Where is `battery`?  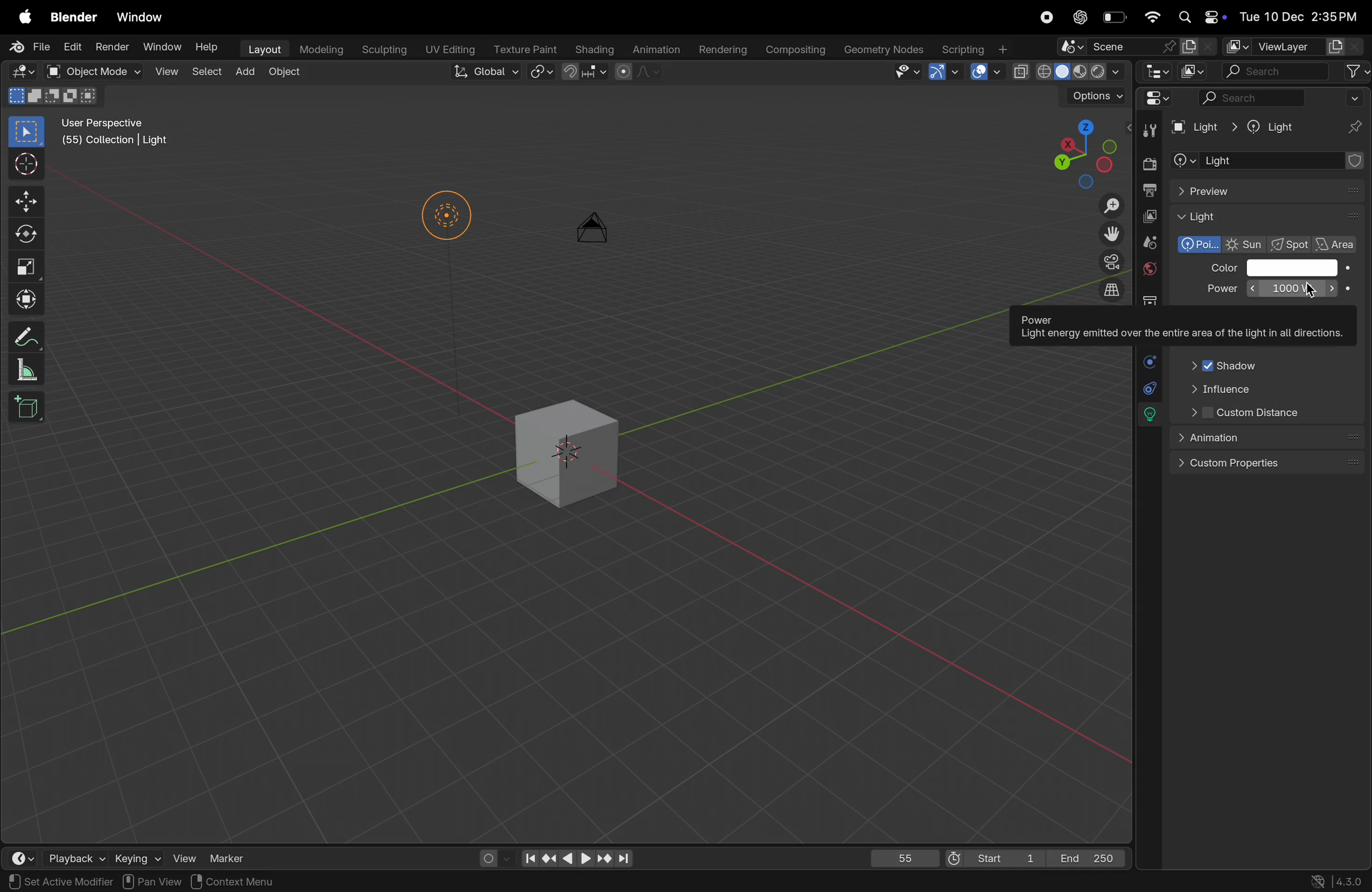 battery is located at coordinates (1115, 16).